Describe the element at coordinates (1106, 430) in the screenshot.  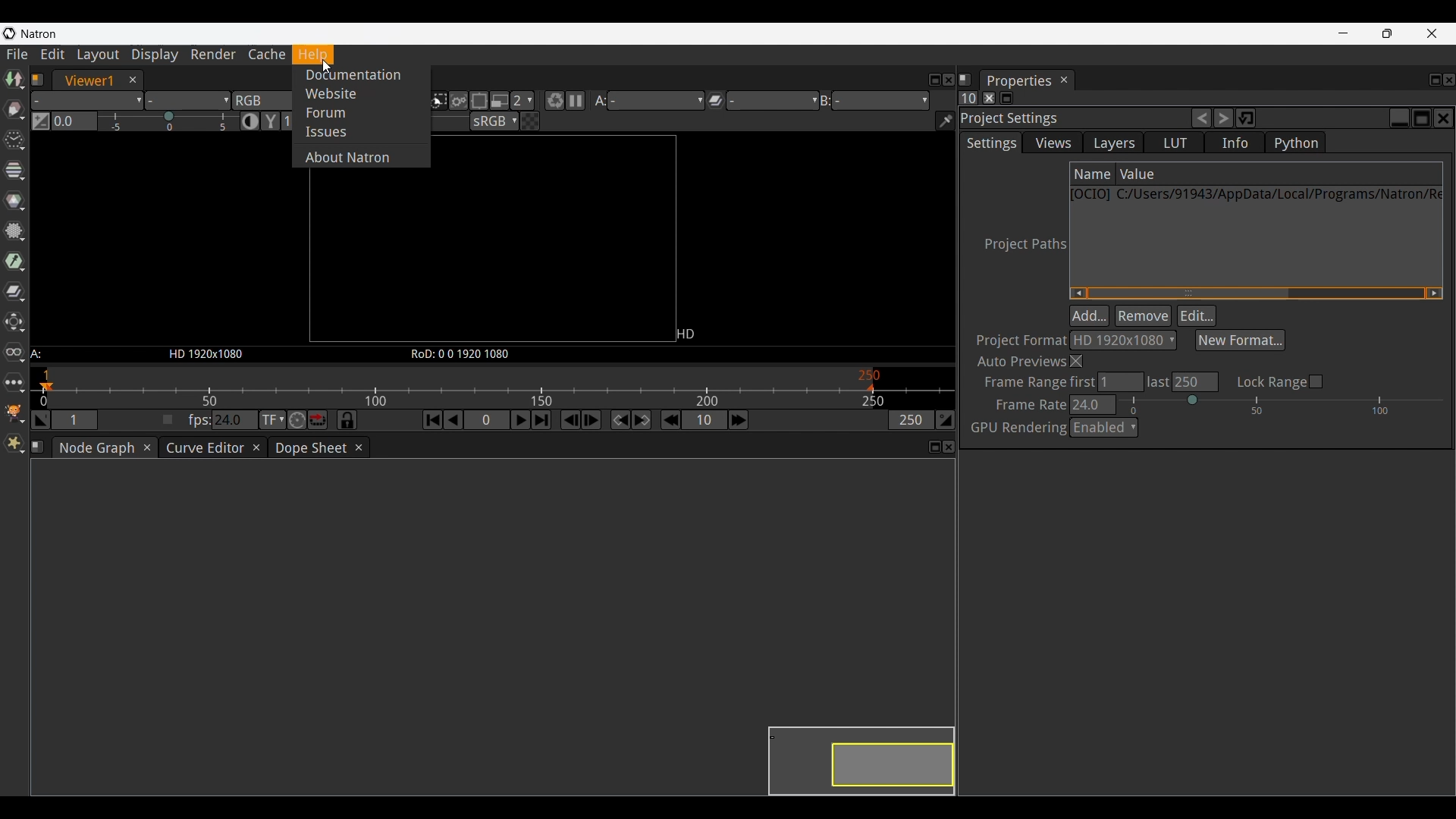
I see `Enabled` at that location.